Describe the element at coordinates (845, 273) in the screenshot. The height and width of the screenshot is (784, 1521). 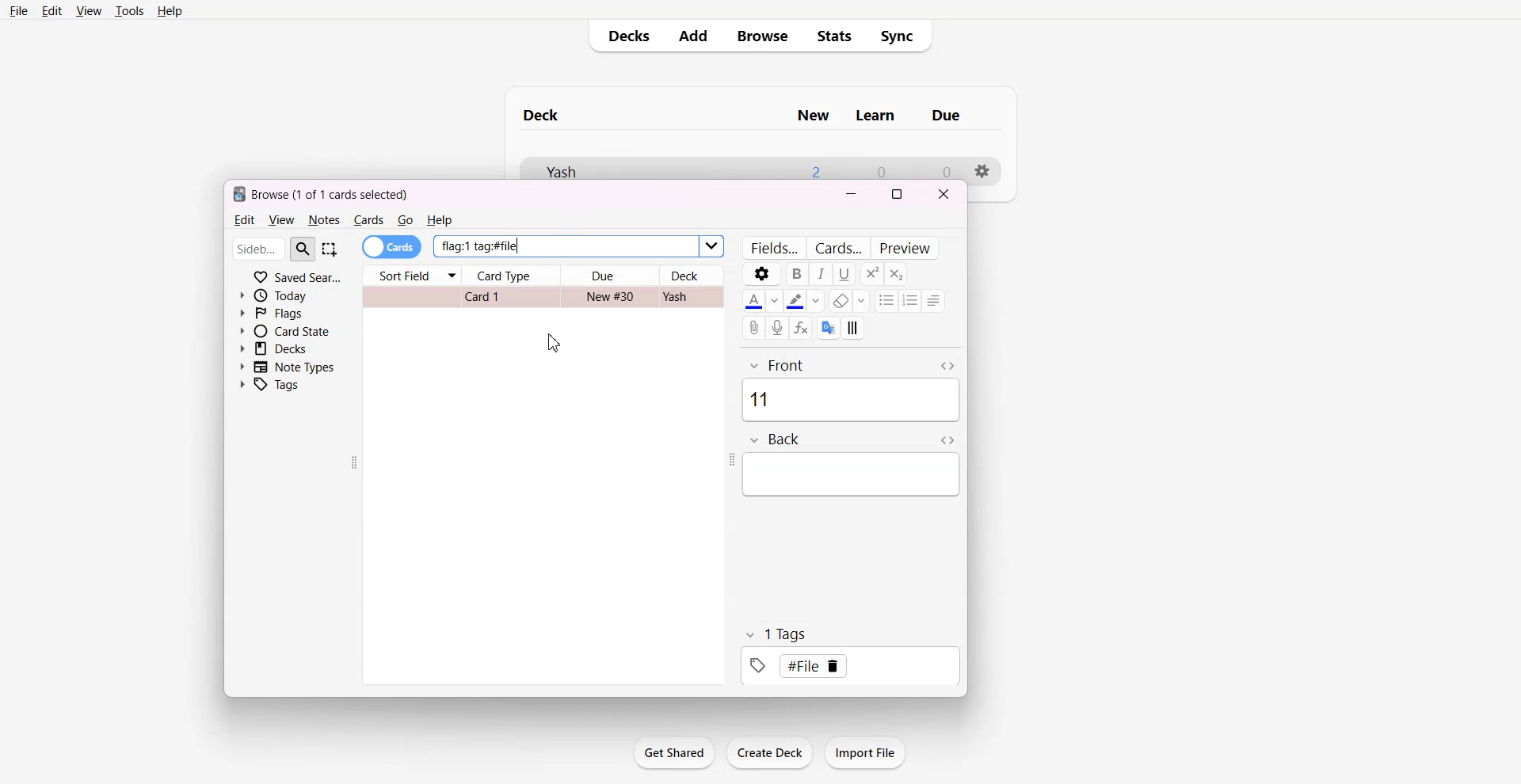
I see `Underline` at that location.